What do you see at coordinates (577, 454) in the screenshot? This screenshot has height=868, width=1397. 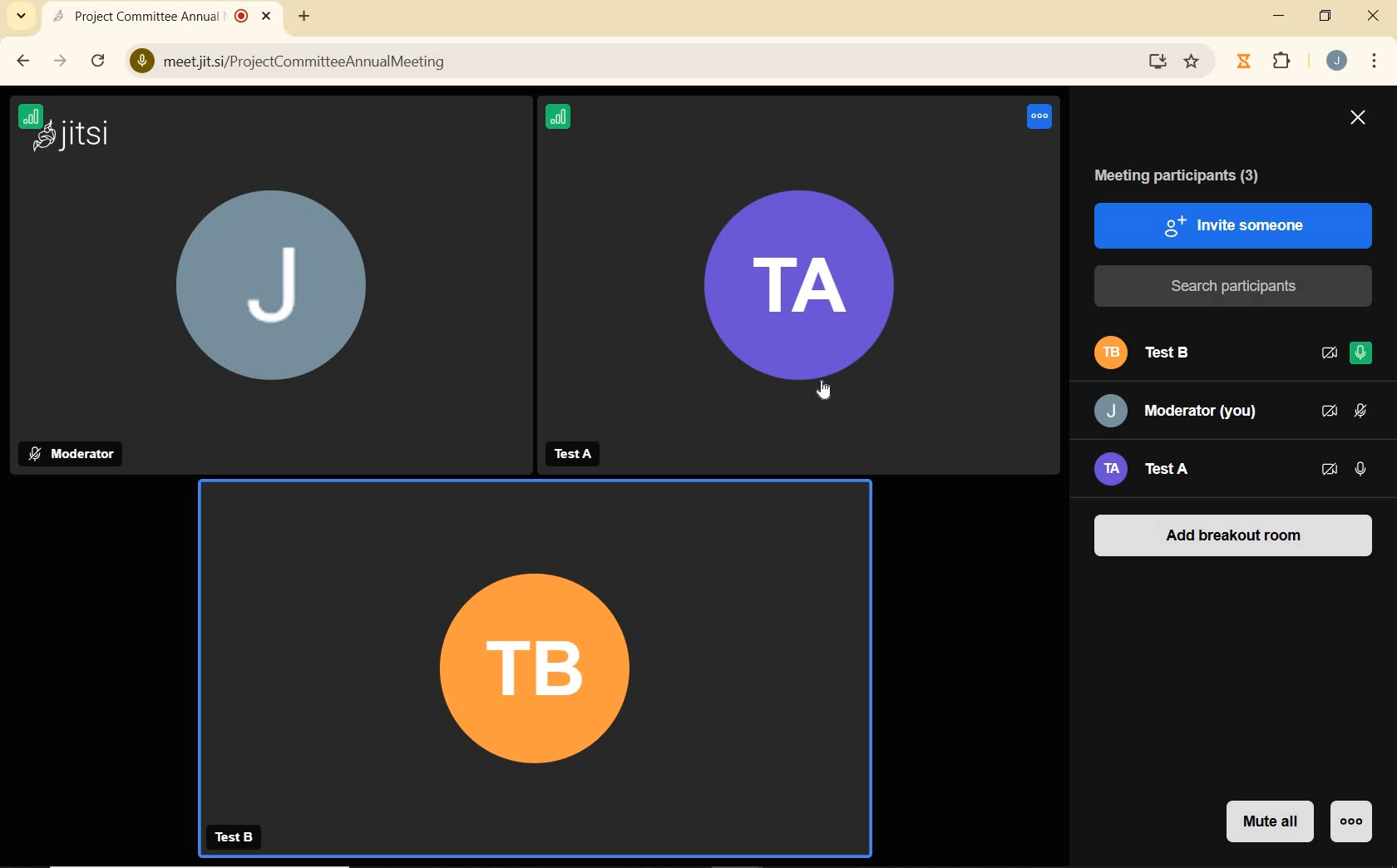 I see `TestA` at bounding box center [577, 454].